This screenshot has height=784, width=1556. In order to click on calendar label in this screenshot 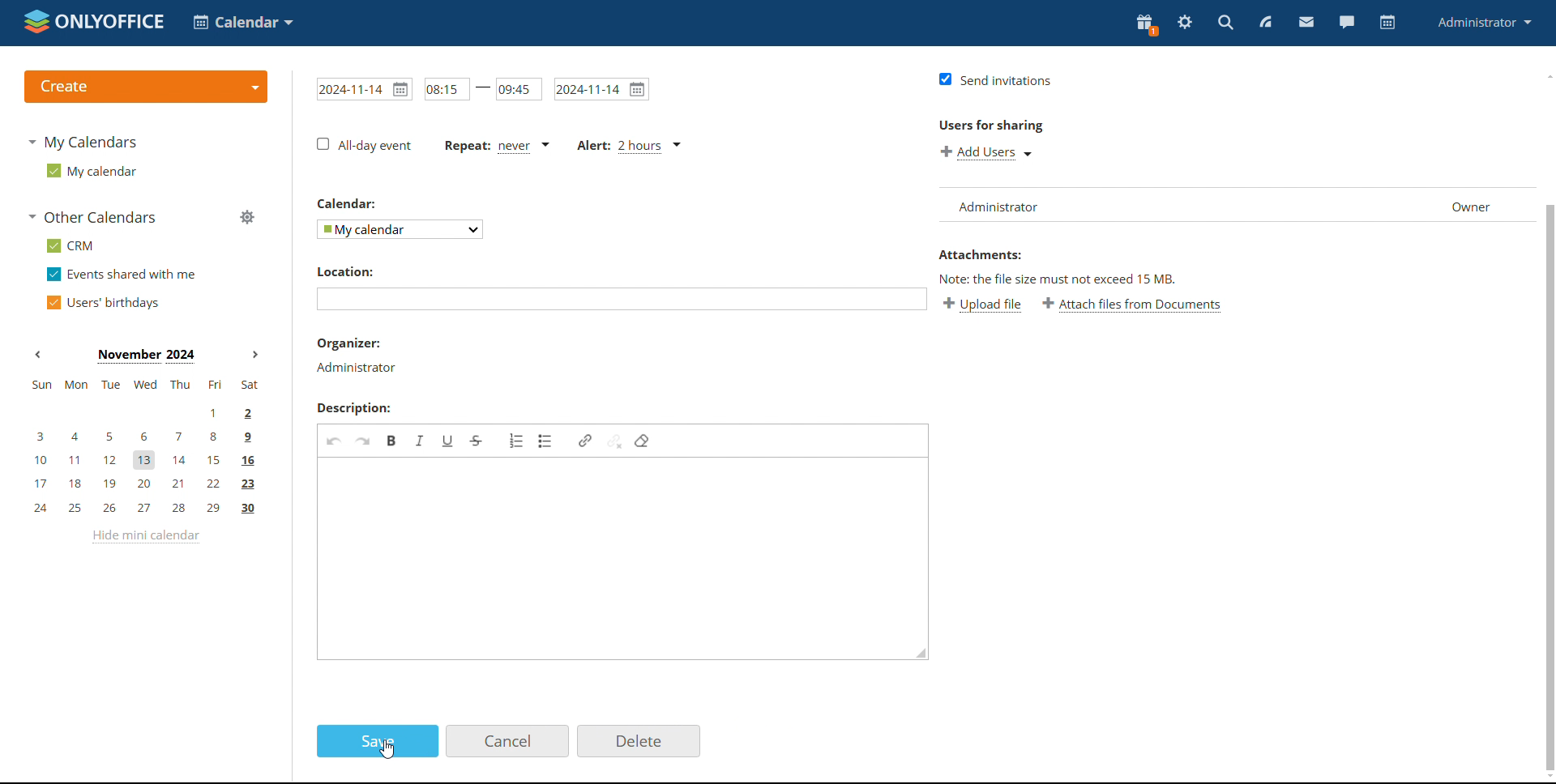, I will do `click(348, 204)`.